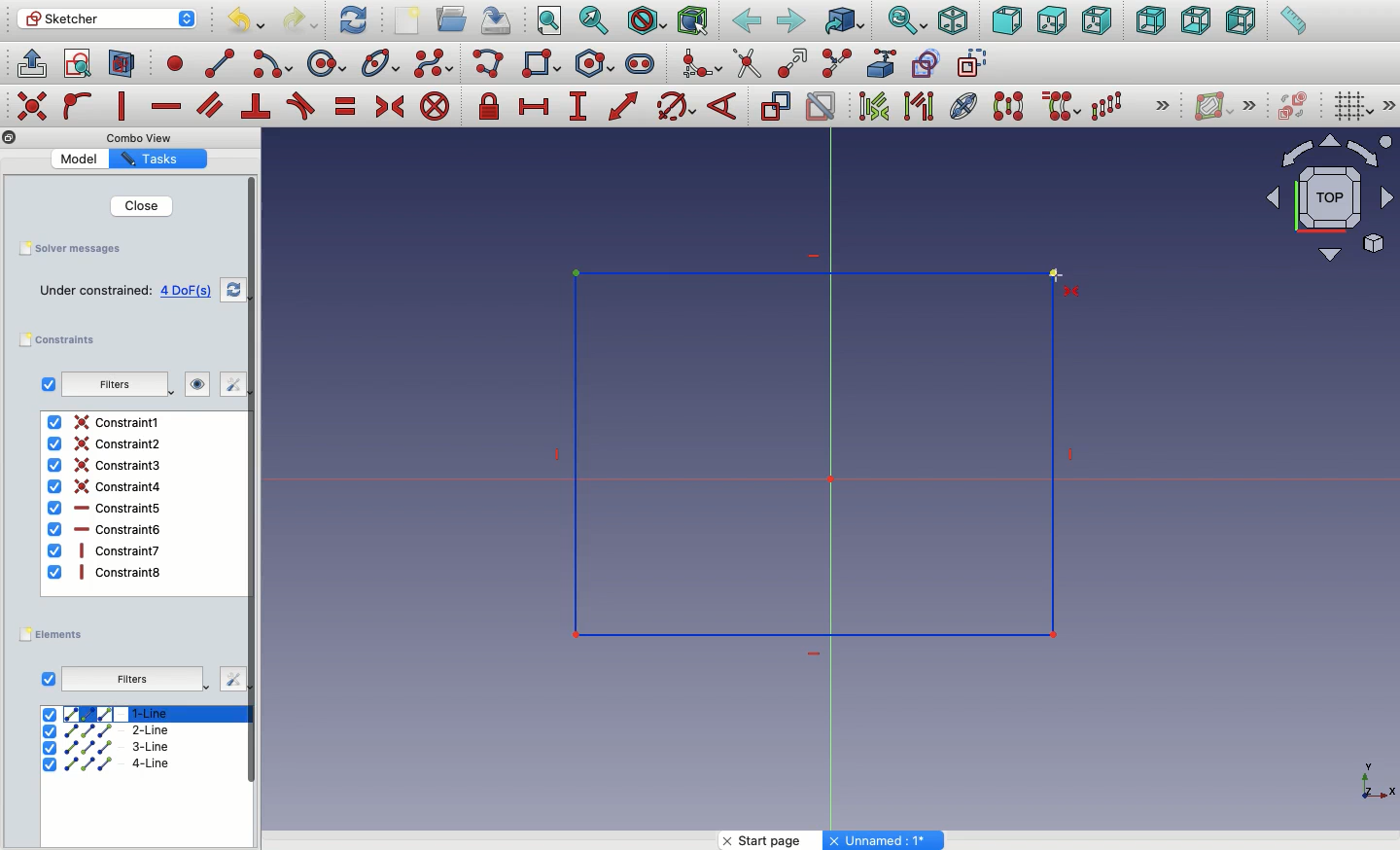  What do you see at coordinates (748, 63) in the screenshot?
I see `Trim edge` at bounding box center [748, 63].